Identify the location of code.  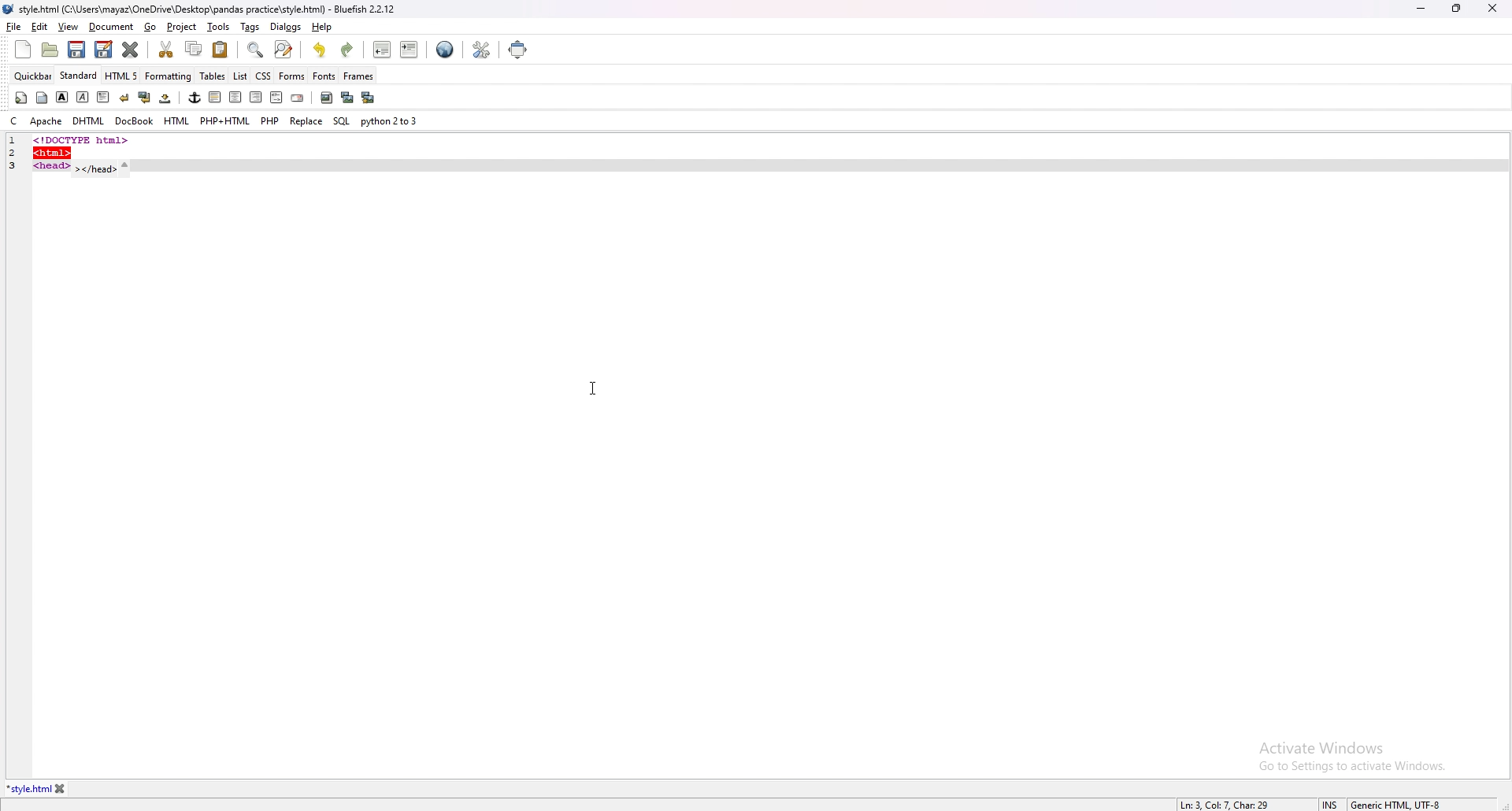
(97, 165).